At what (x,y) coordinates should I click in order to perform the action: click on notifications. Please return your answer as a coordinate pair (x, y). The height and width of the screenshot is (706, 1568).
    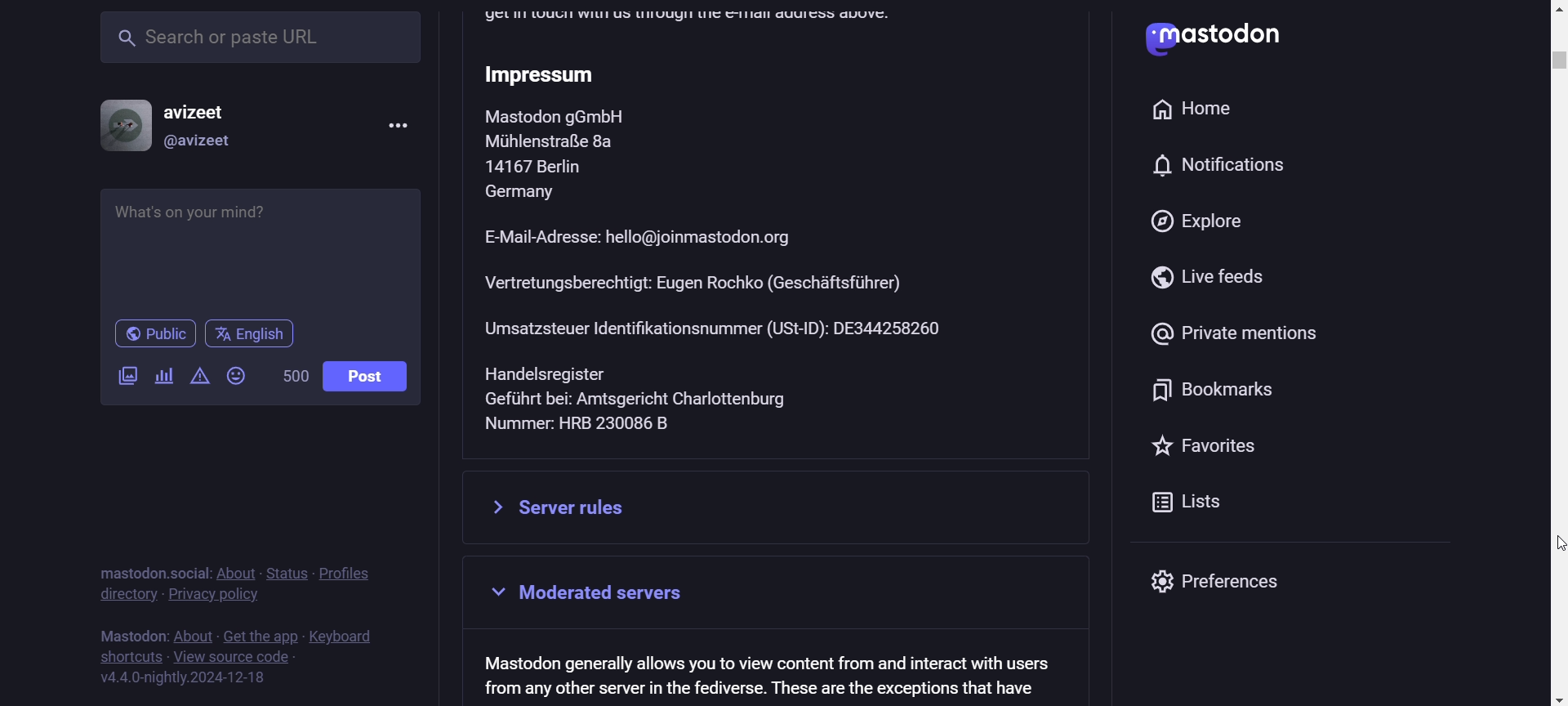
    Looking at the image, I should click on (1225, 165).